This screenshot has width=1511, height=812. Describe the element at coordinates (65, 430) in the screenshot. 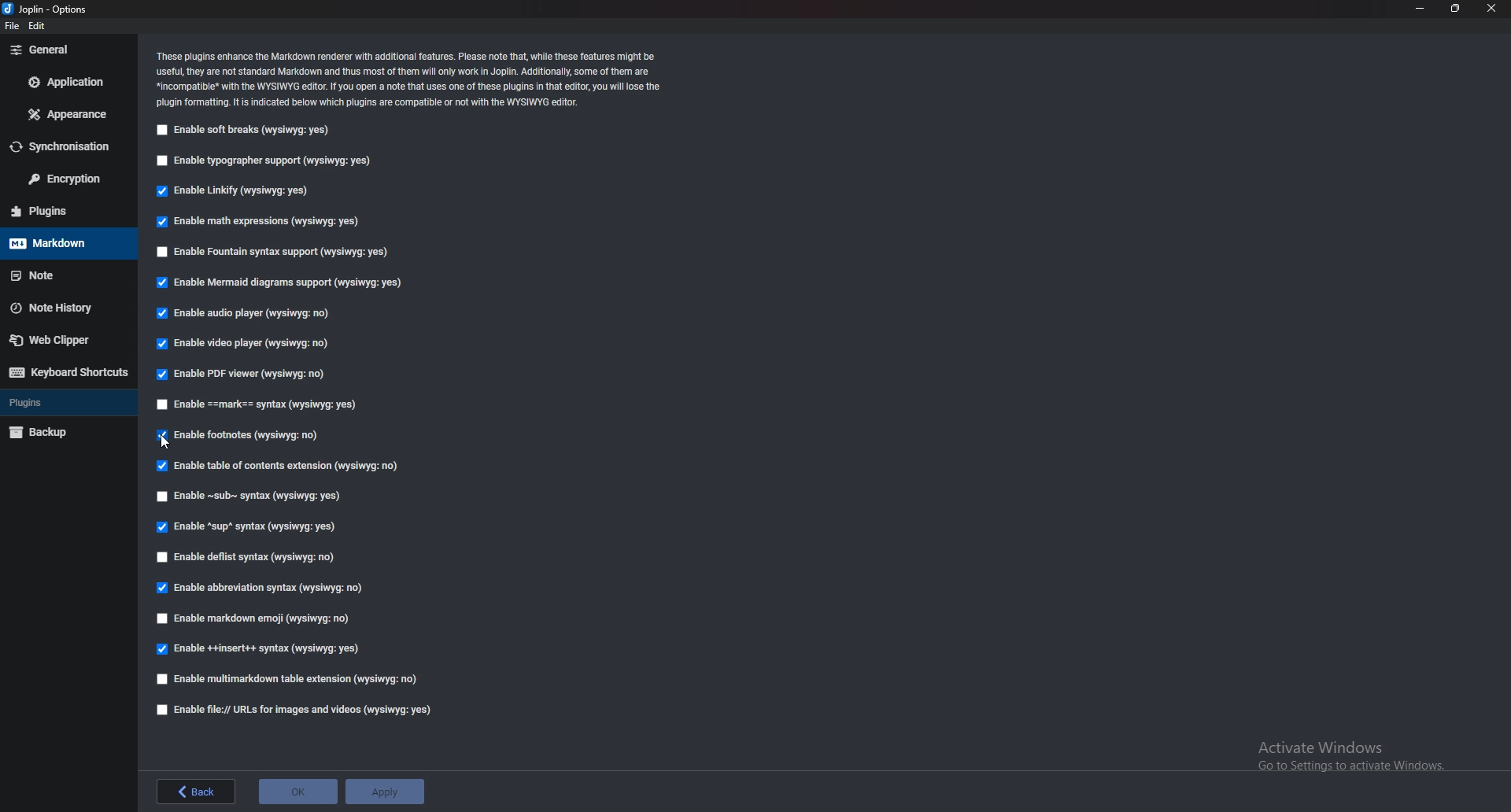

I see `backup` at that location.